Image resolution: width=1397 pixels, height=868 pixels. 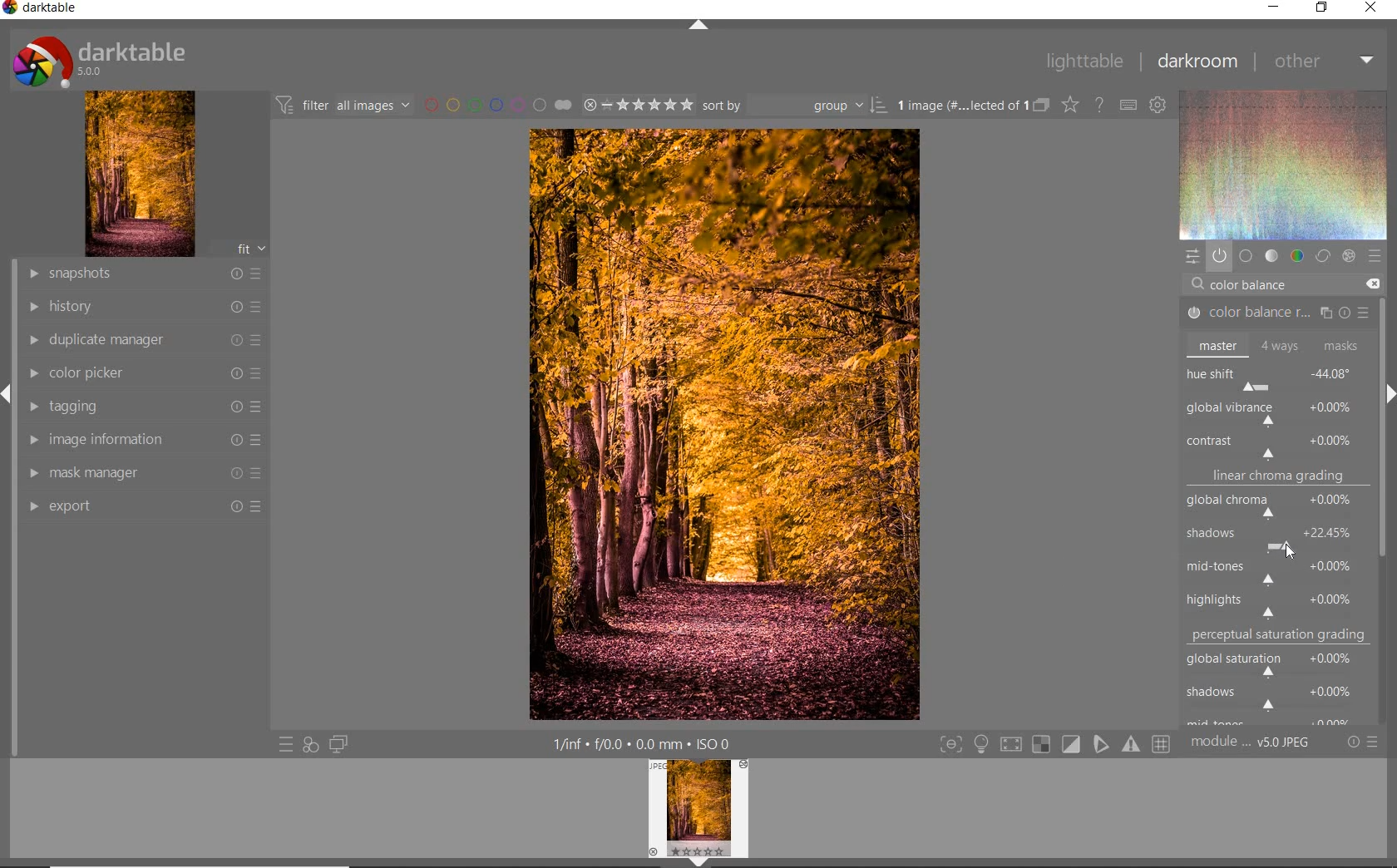 I want to click on contrast, so click(x=1276, y=445).